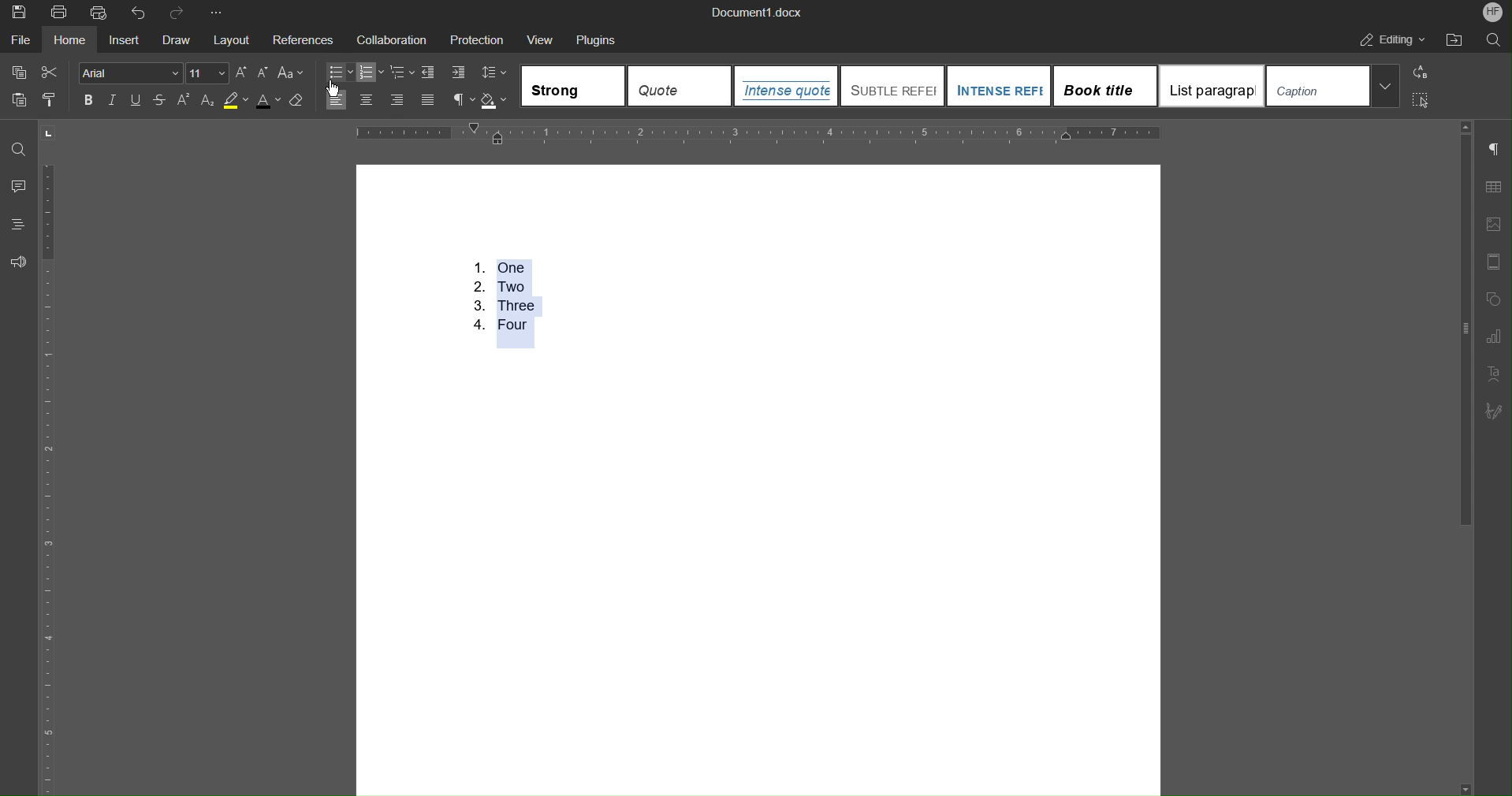 The width and height of the screenshot is (1512, 796). Describe the element at coordinates (162, 101) in the screenshot. I see `Strikethrough` at that location.